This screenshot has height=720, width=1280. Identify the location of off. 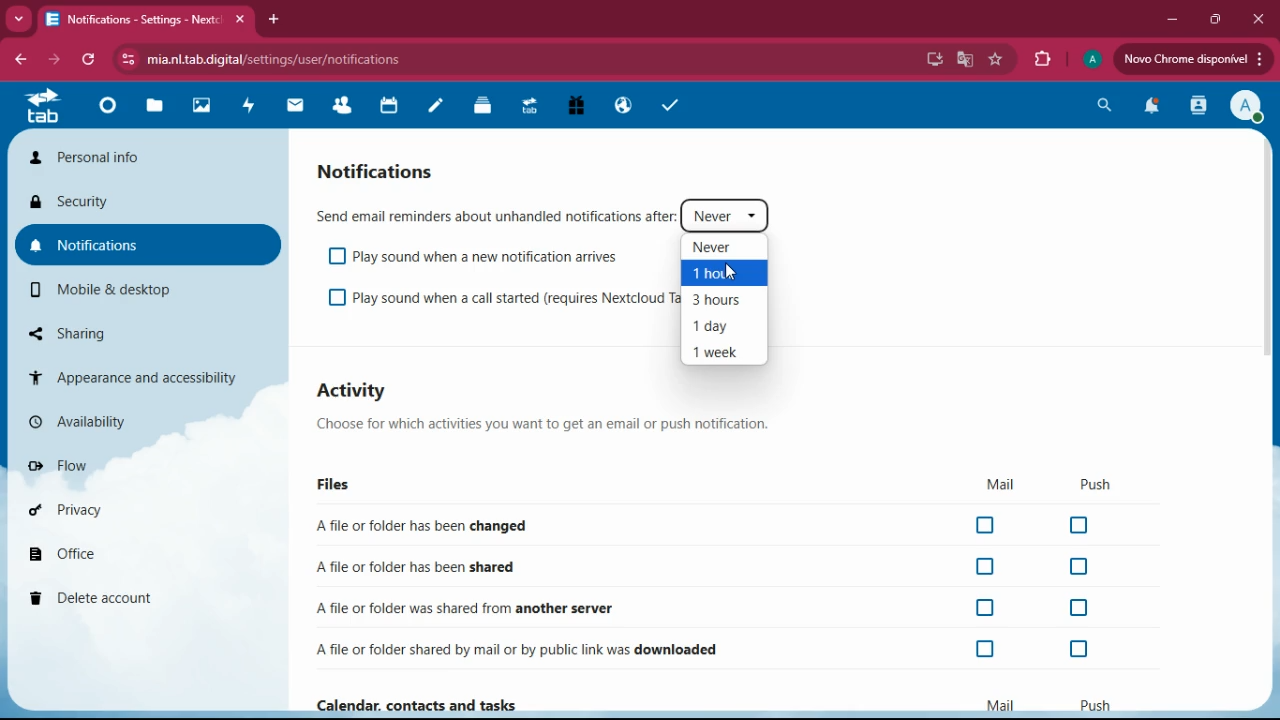
(984, 608).